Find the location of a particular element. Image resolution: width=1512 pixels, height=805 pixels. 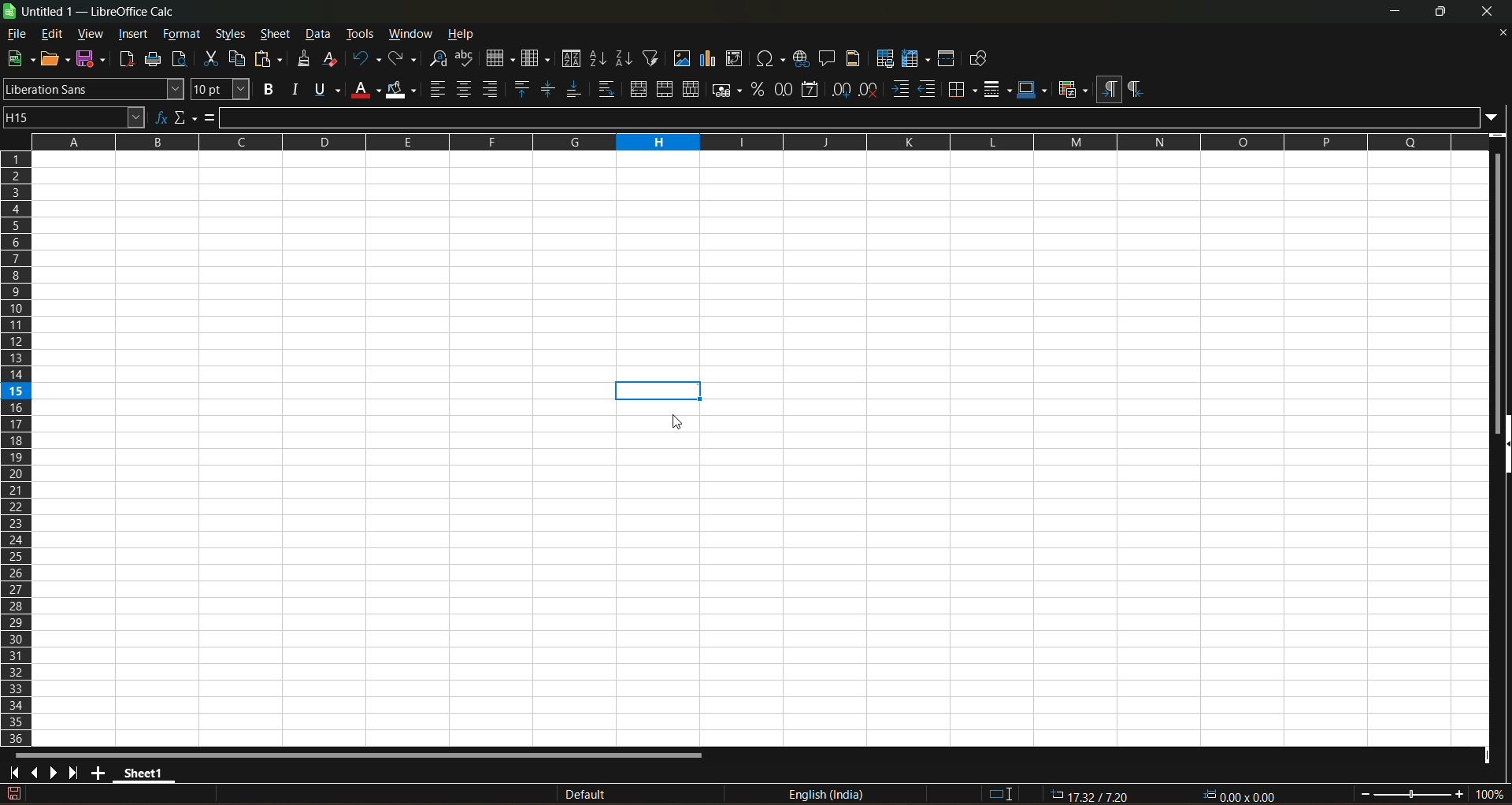

scroll to next sheet is located at coordinates (57, 772).